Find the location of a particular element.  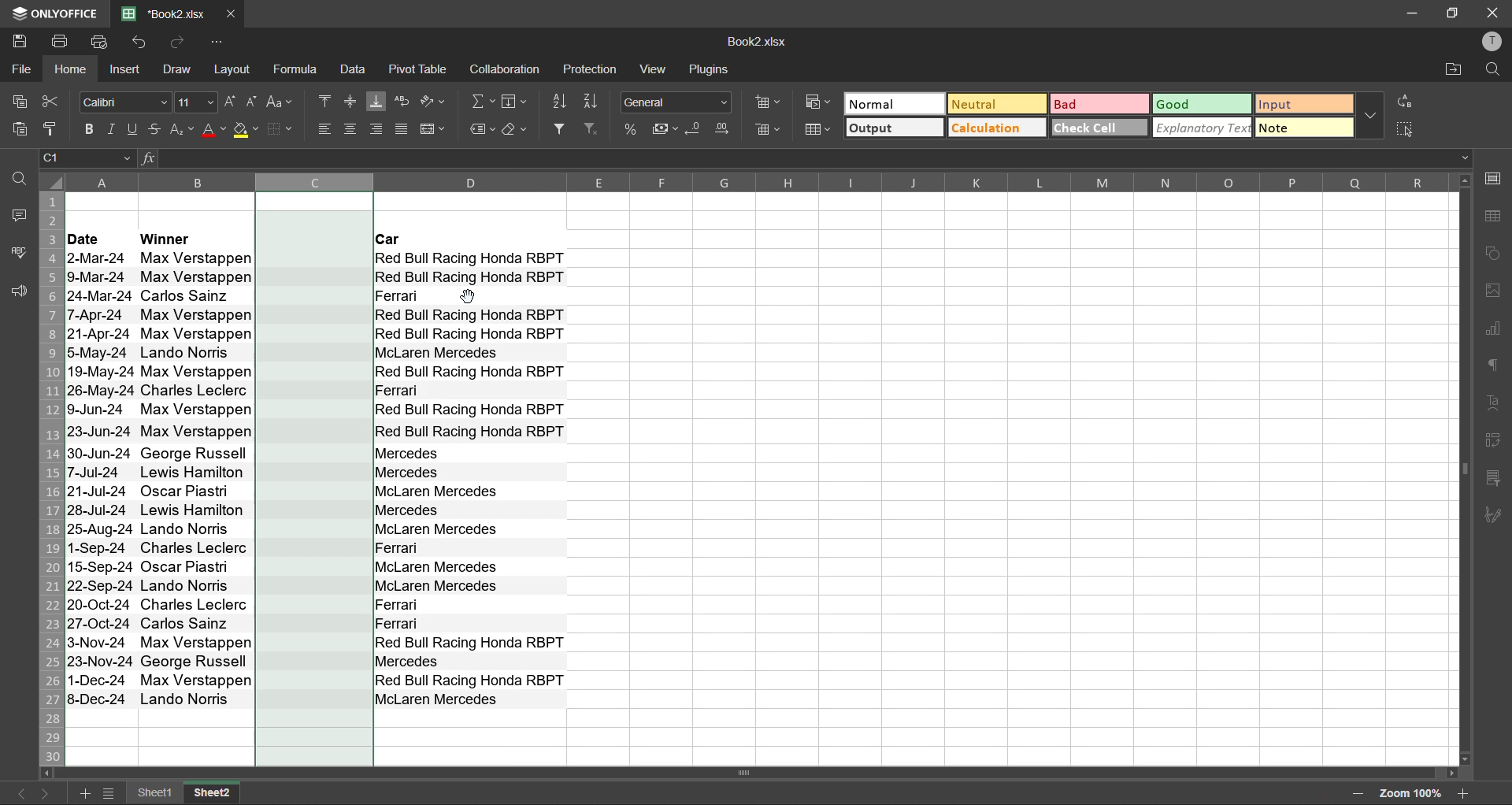

fields is located at coordinates (514, 102).